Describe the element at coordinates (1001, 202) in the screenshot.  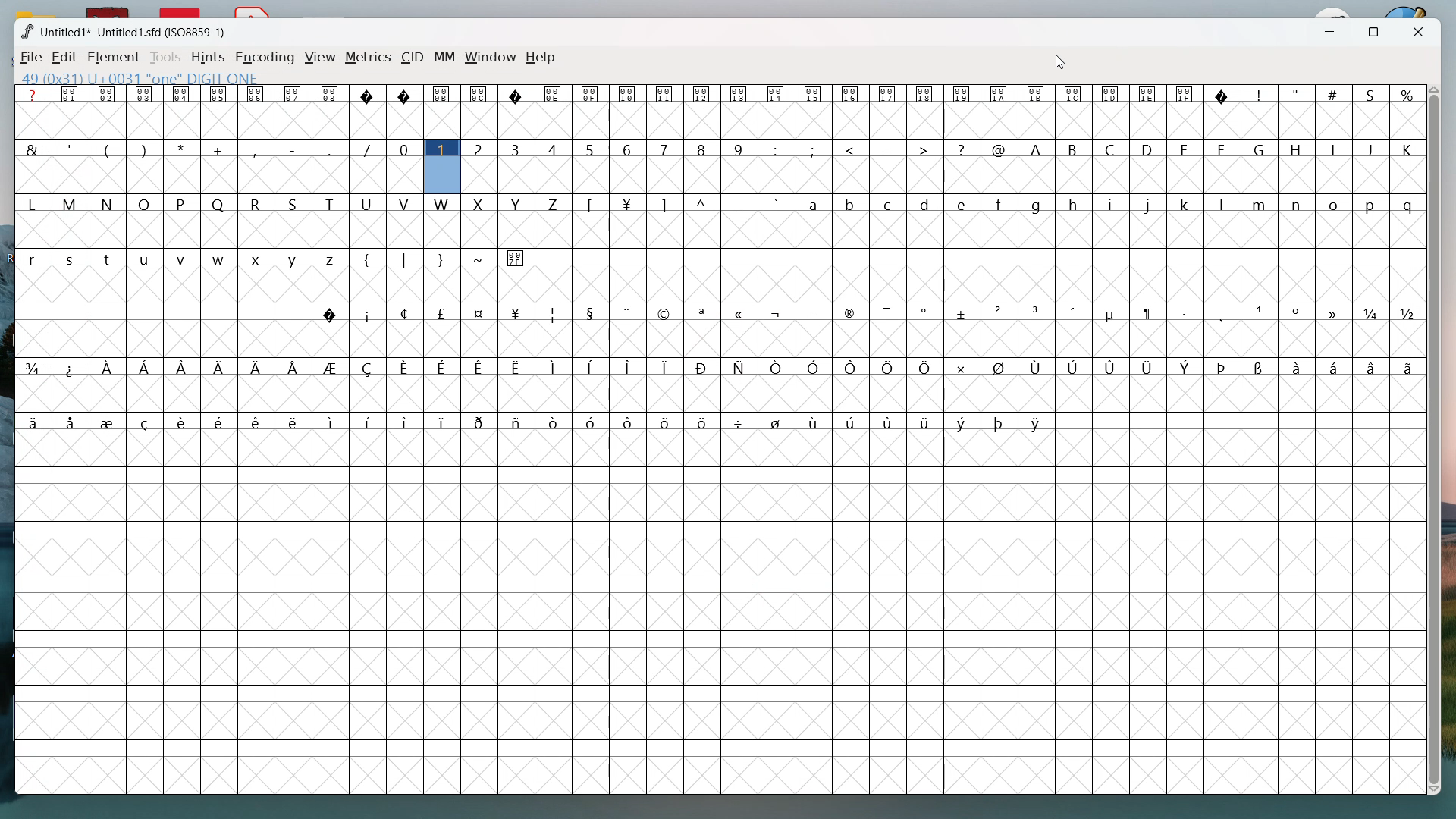
I see `f` at that location.